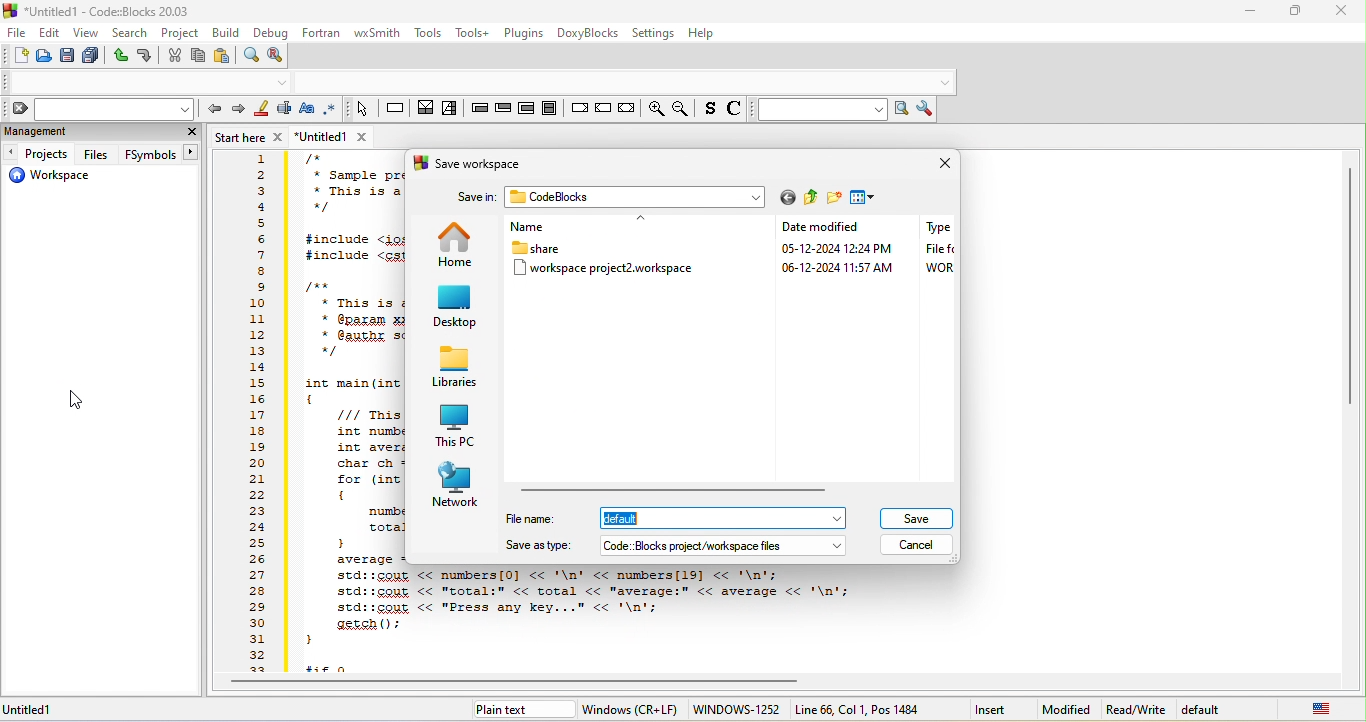 This screenshot has height=722, width=1366. Describe the element at coordinates (578, 106) in the screenshot. I see `break` at that location.